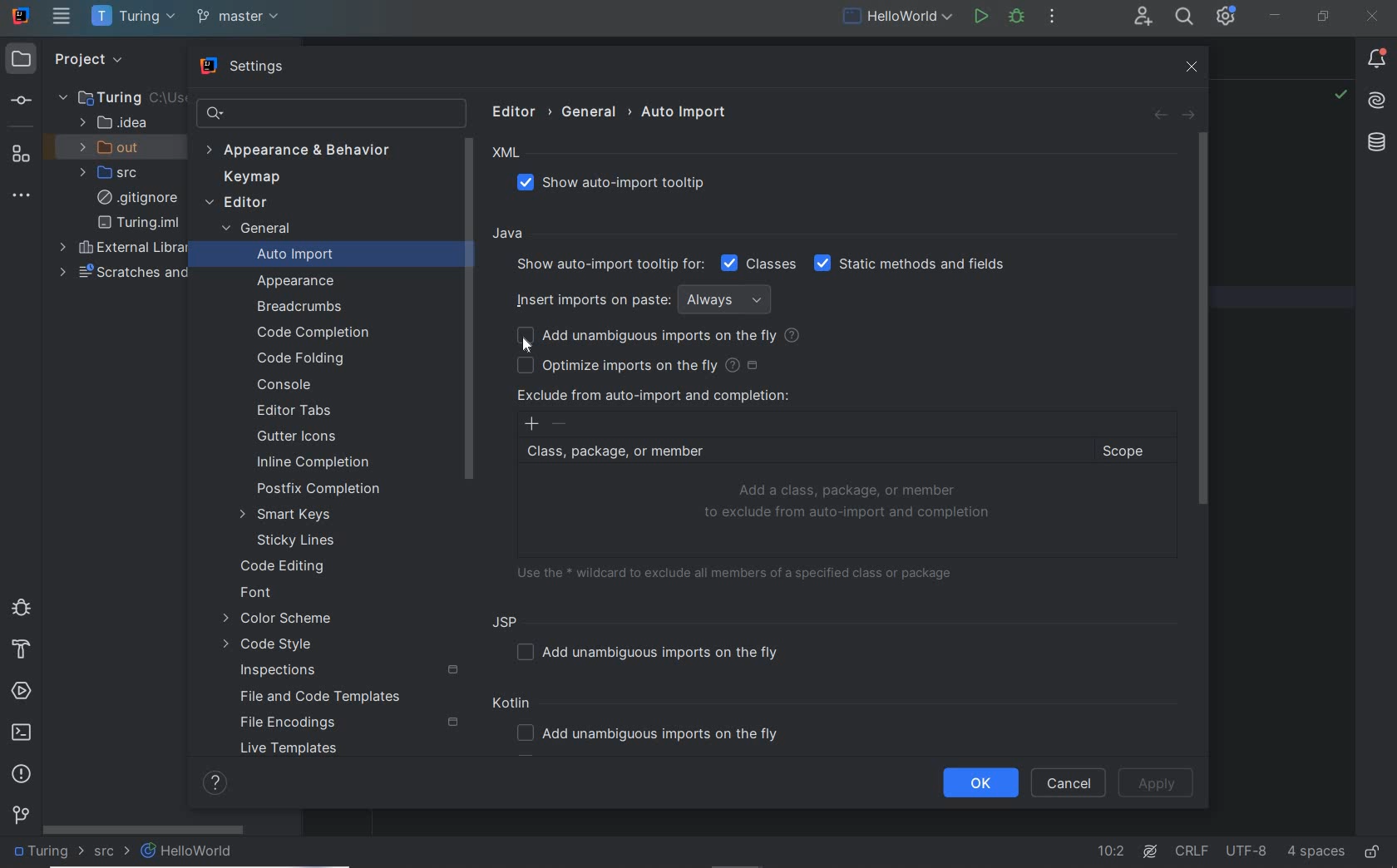  What do you see at coordinates (348, 723) in the screenshot?
I see `FILE ENCODING` at bounding box center [348, 723].